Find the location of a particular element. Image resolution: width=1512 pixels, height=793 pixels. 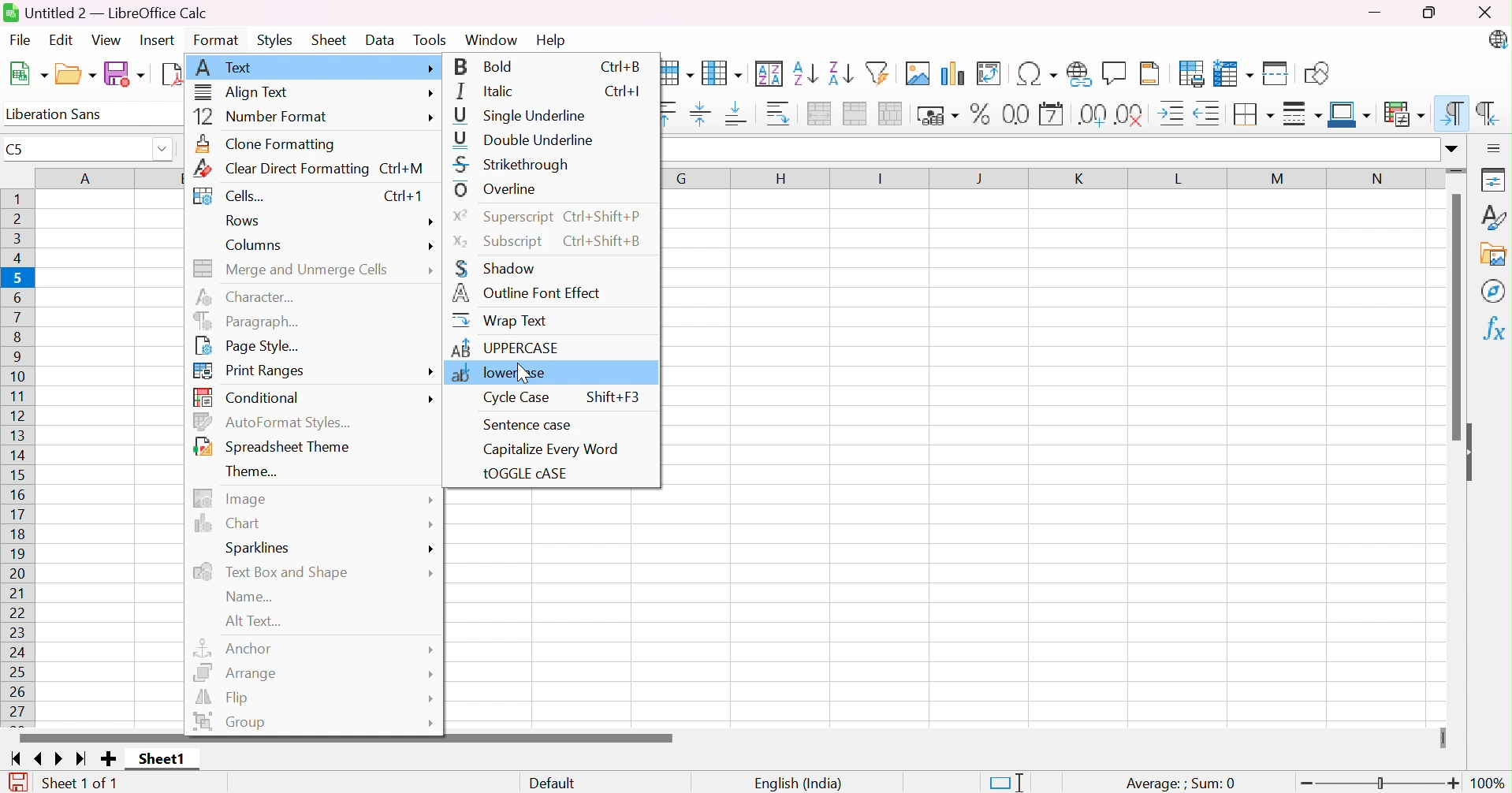

Scroll to previous page is located at coordinates (39, 757).